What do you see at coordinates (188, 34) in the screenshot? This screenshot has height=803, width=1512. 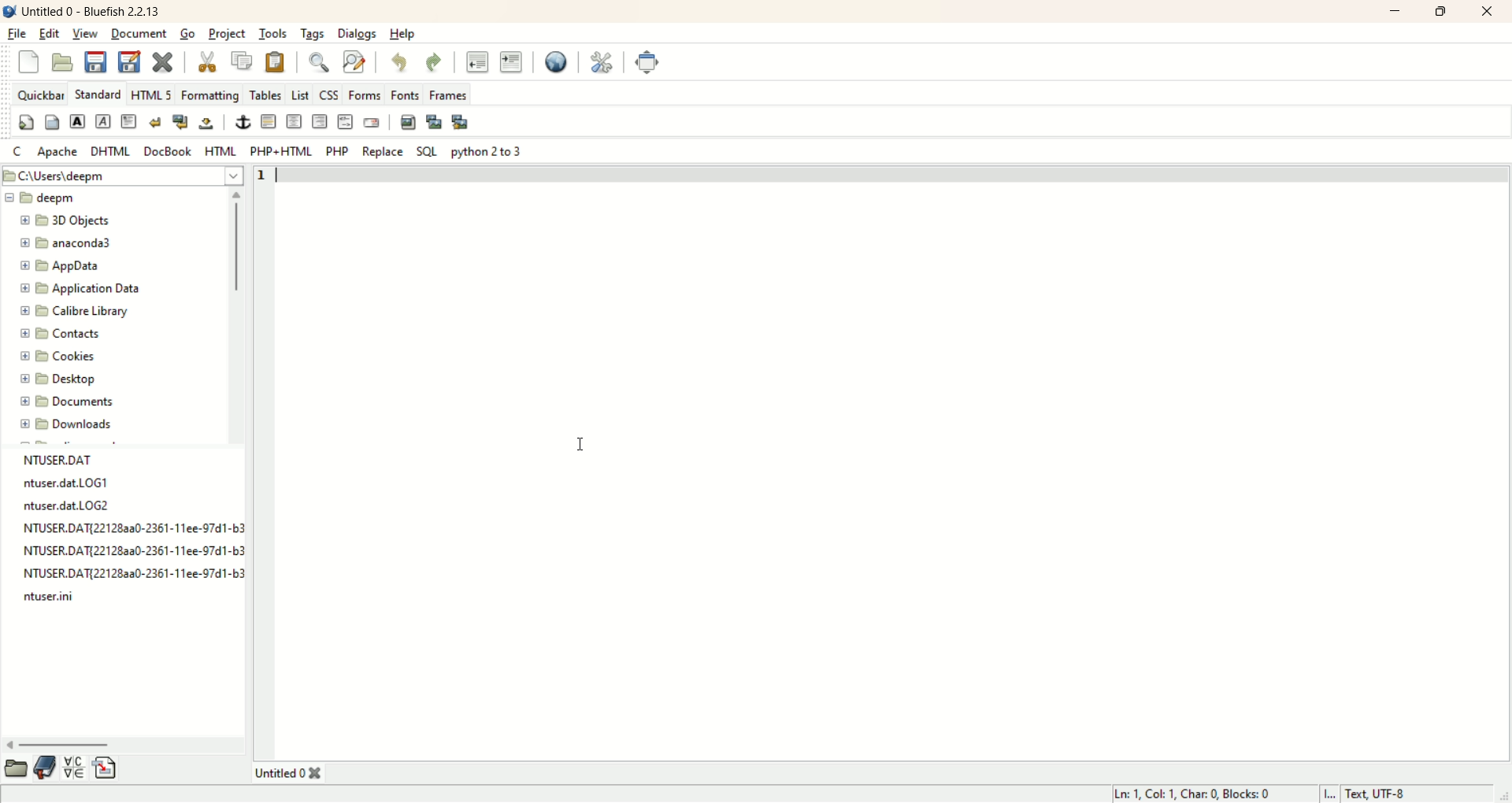 I see `go` at bounding box center [188, 34].